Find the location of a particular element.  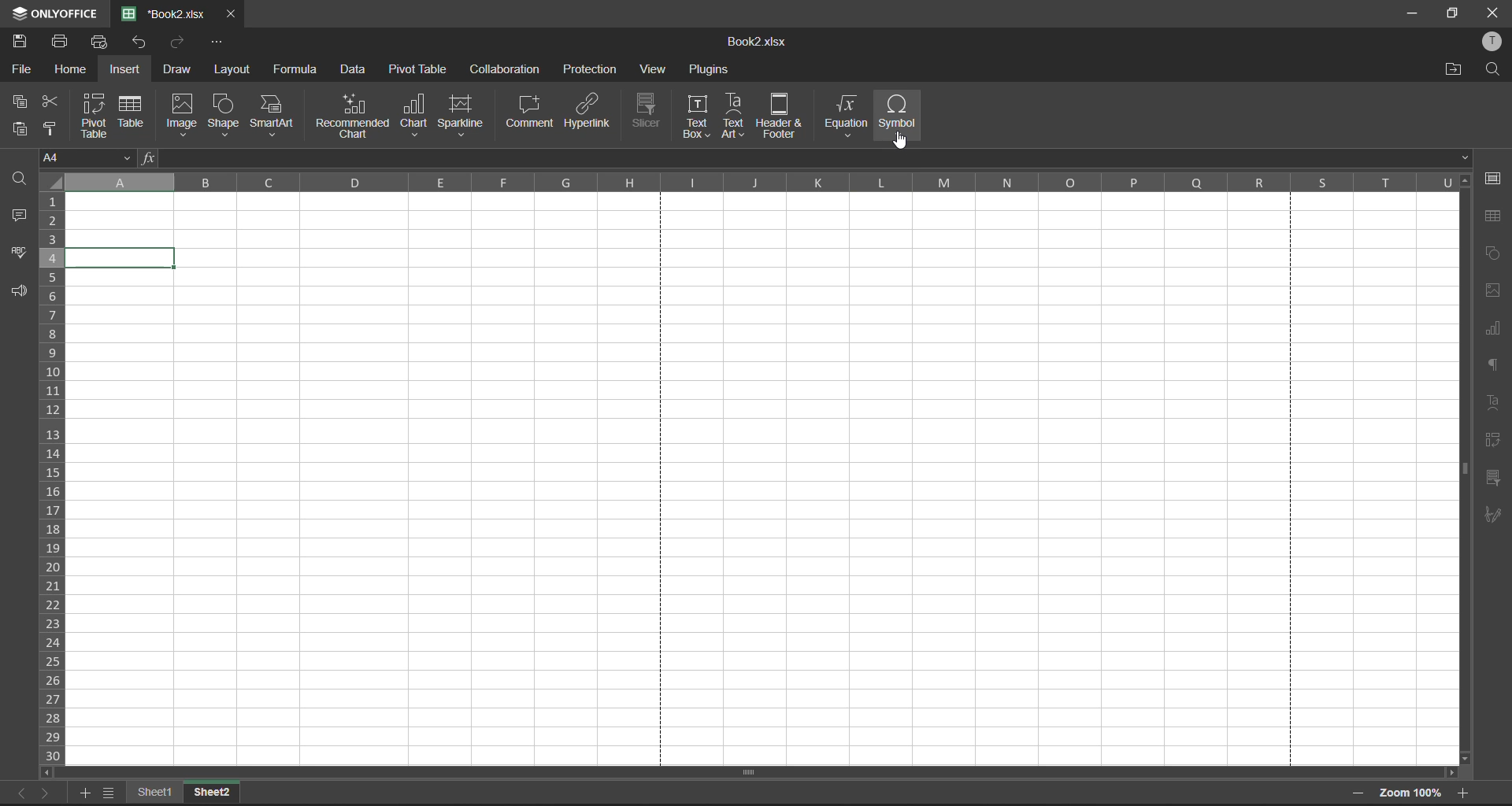

home is located at coordinates (70, 70).